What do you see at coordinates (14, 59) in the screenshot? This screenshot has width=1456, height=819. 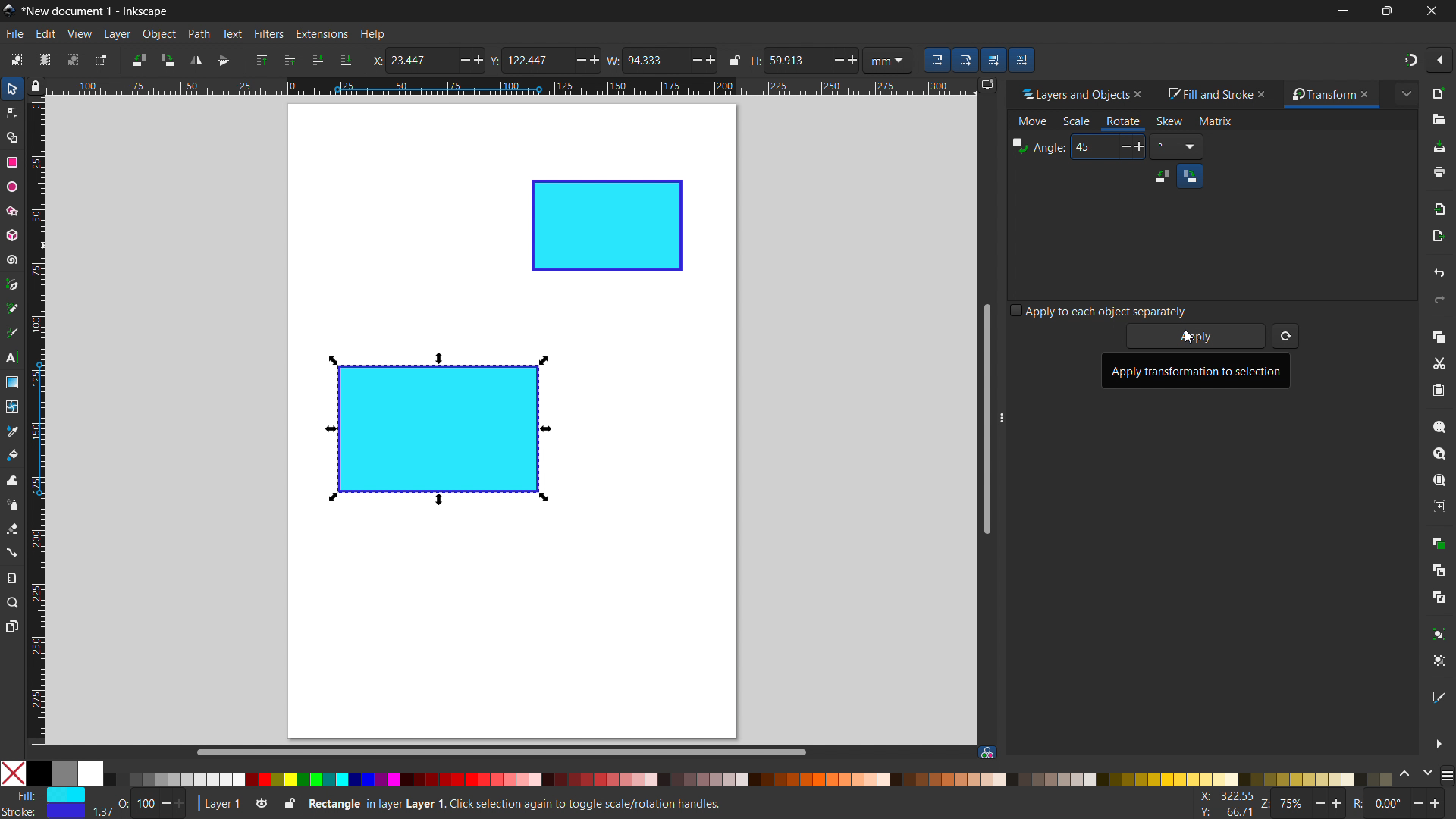 I see `select all` at bounding box center [14, 59].